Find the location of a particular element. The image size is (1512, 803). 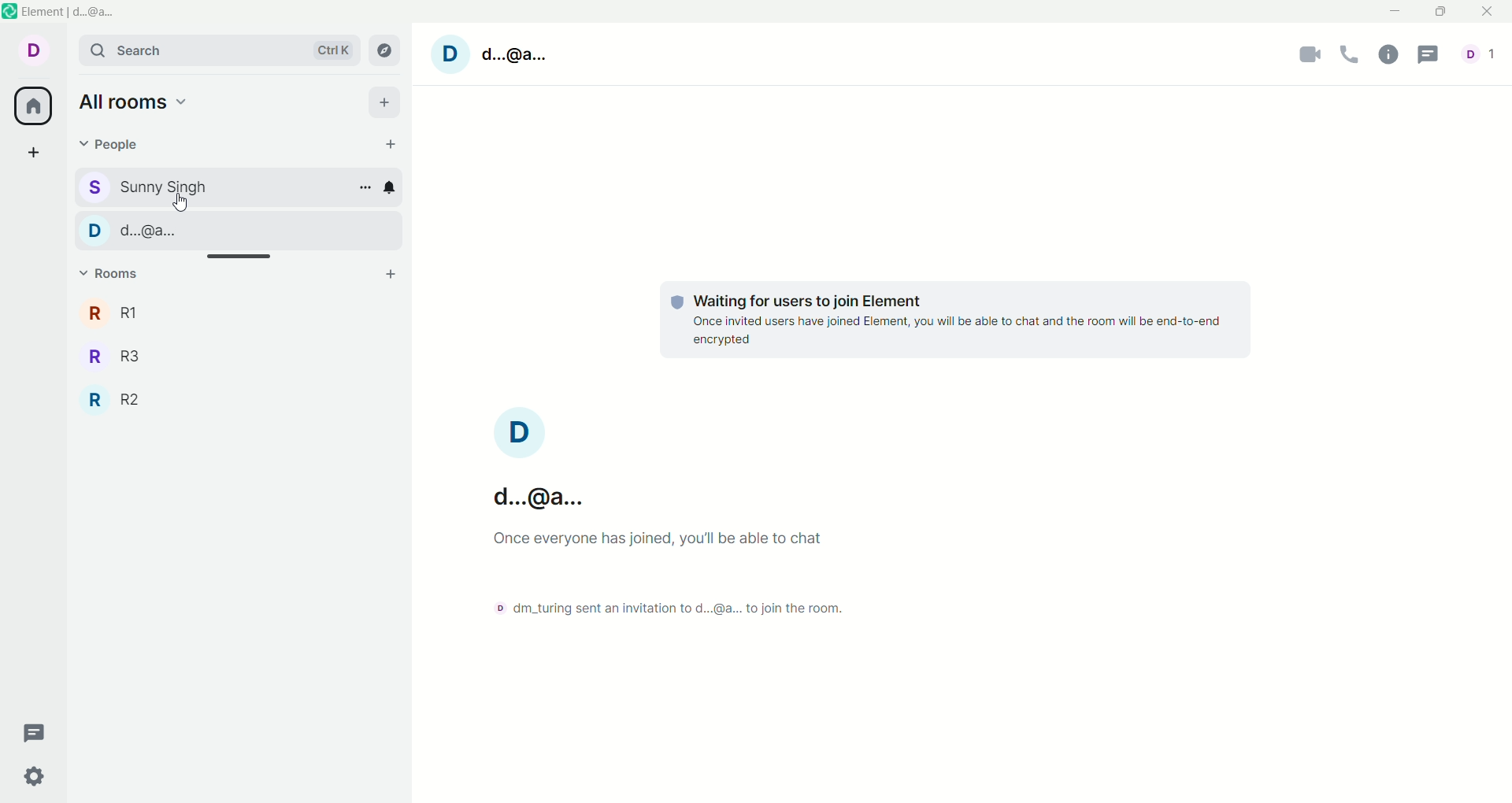

option is located at coordinates (365, 187).